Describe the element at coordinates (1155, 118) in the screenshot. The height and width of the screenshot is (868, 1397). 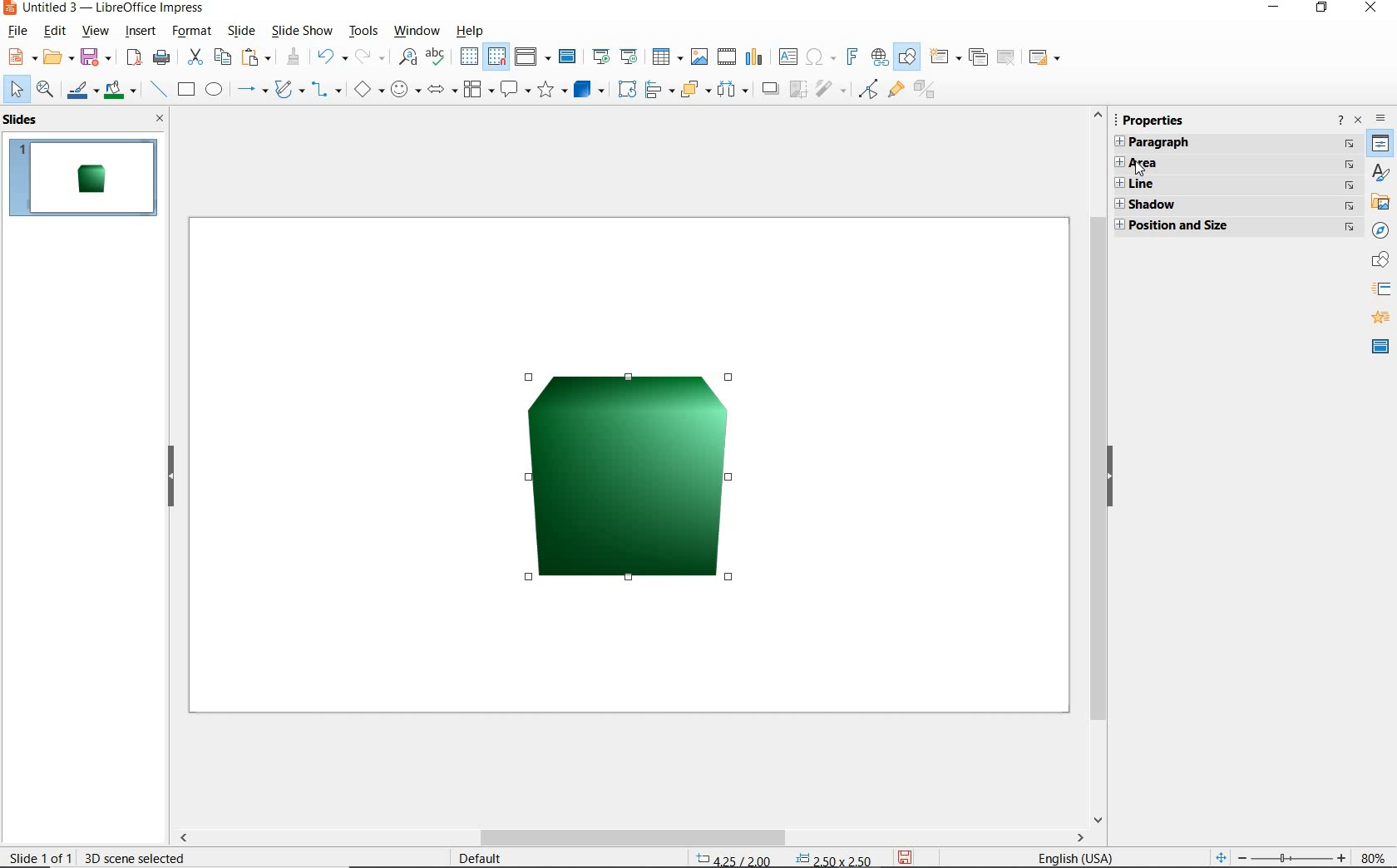
I see `PROPERTIES` at that location.